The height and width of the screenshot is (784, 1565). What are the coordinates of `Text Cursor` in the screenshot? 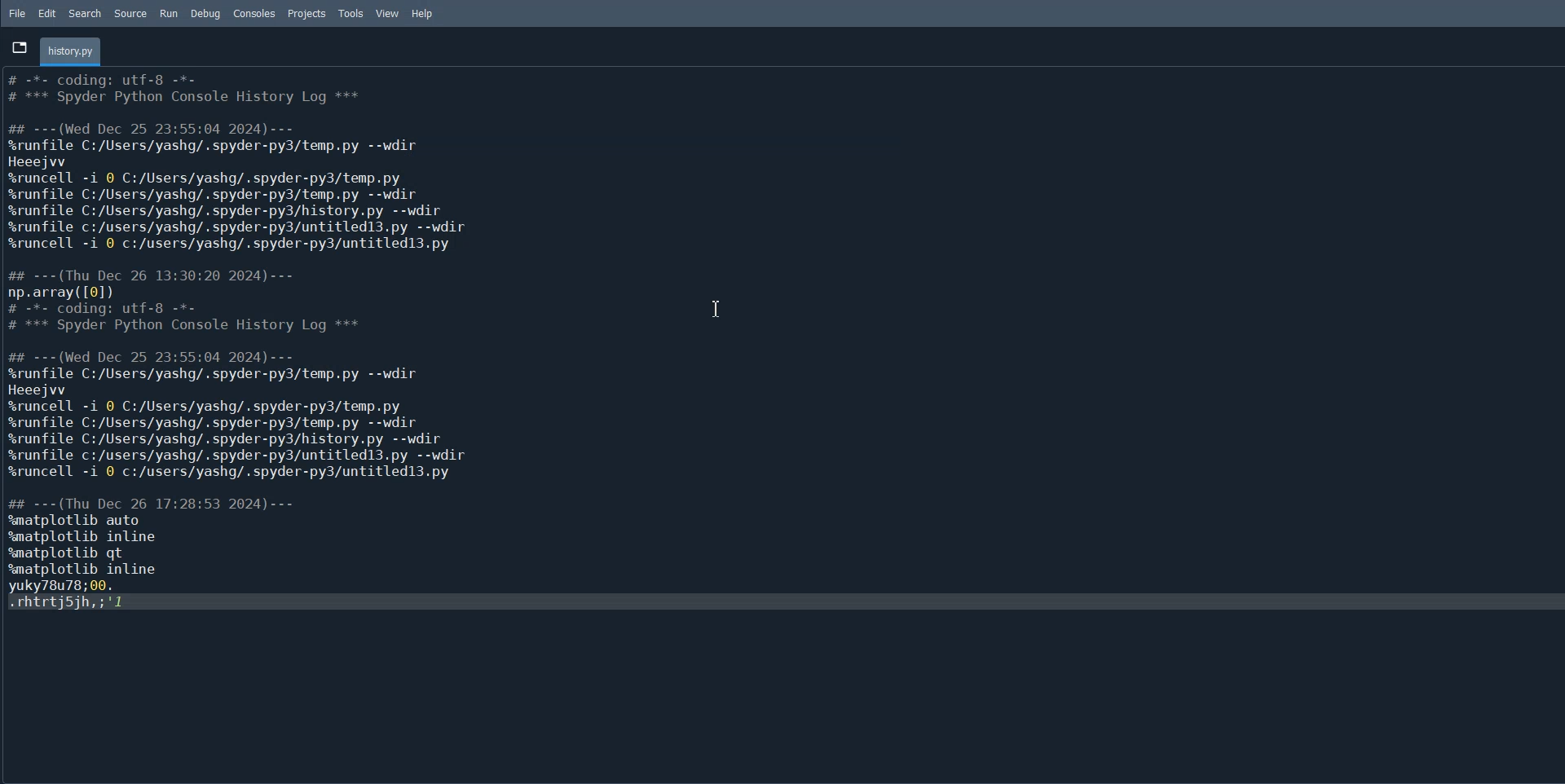 It's located at (719, 311).